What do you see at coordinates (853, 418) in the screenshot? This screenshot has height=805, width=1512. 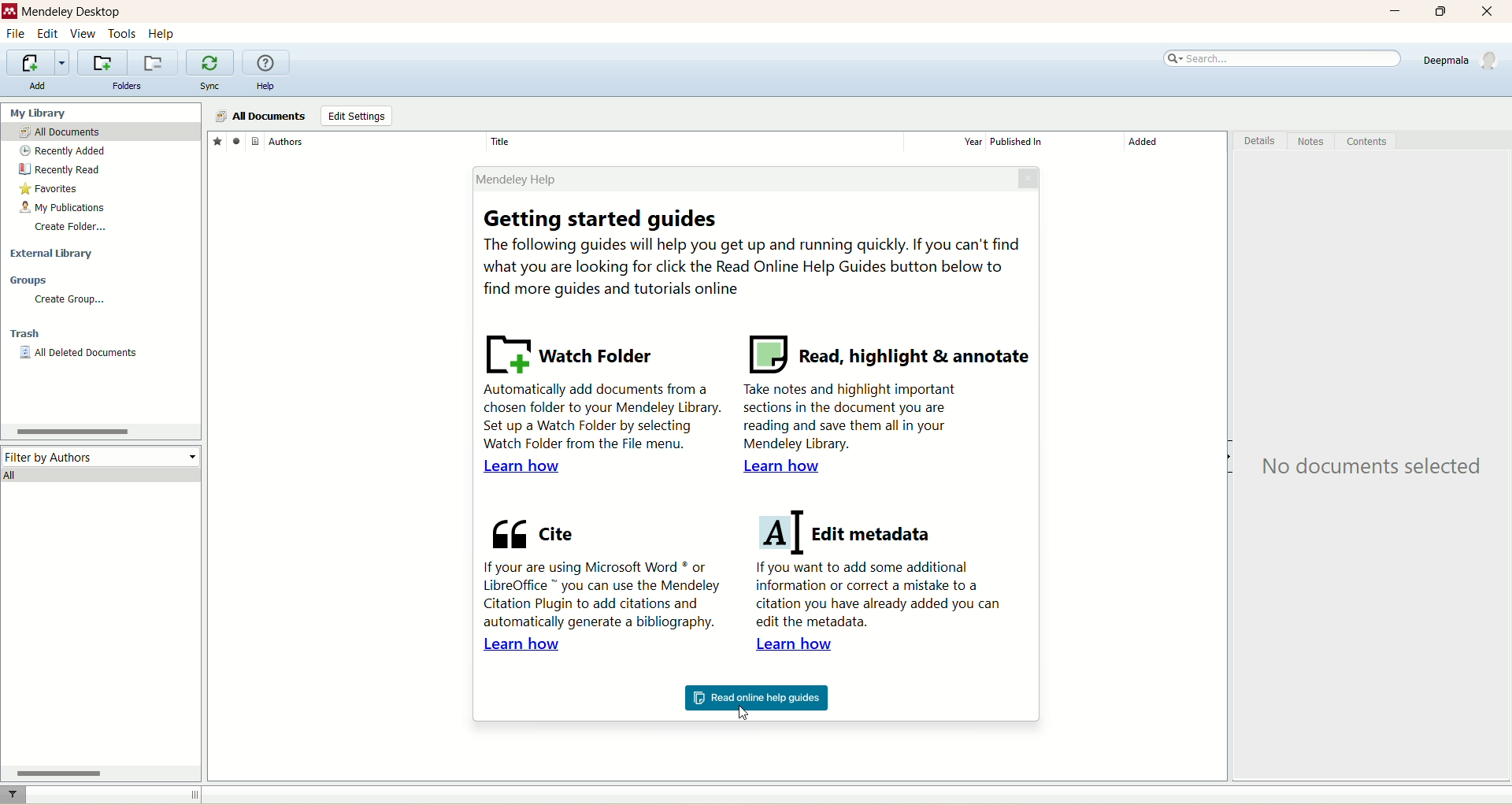 I see `Take notes and highlight important sections in the document you are reading and save them all in your Mendeley Library.` at bounding box center [853, 418].